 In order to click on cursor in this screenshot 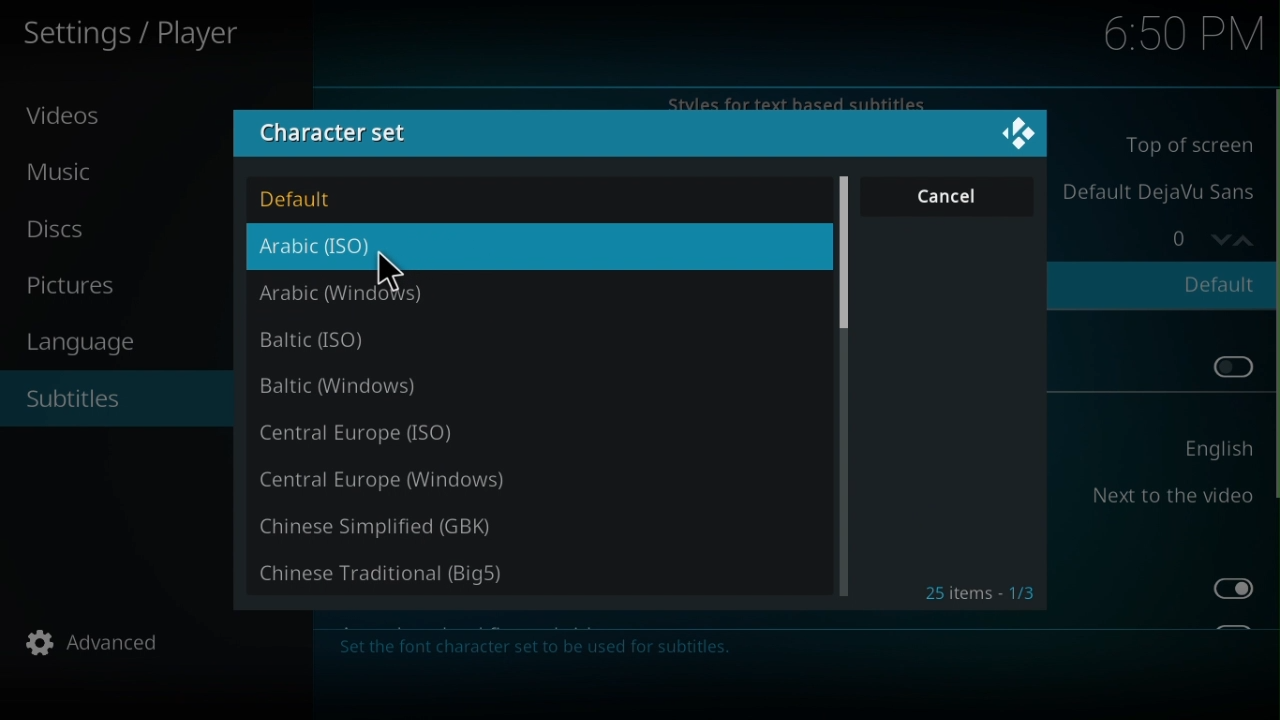, I will do `click(389, 272)`.